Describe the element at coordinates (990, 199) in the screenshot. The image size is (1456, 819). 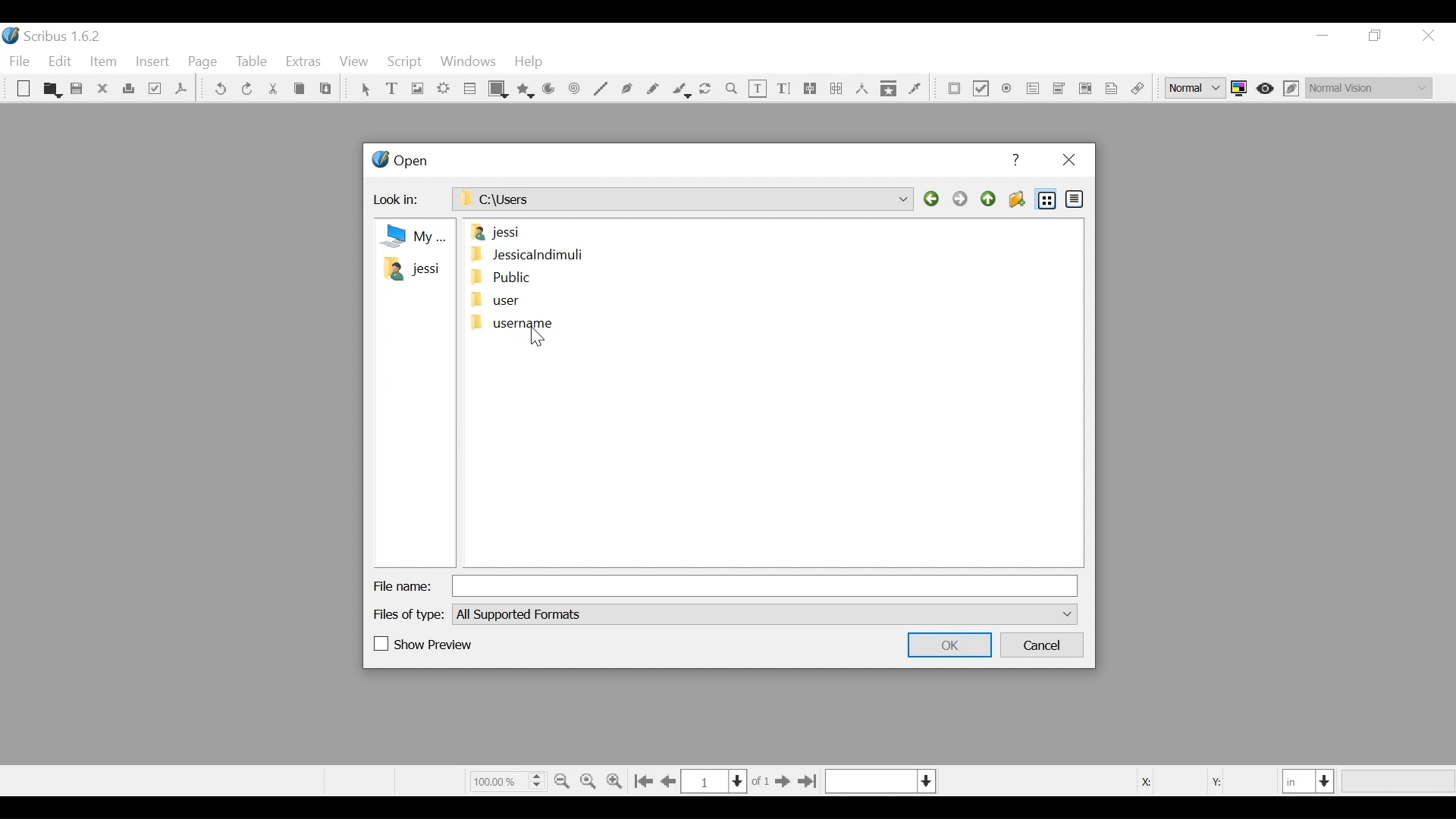
I see `Parent Directory` at that location.